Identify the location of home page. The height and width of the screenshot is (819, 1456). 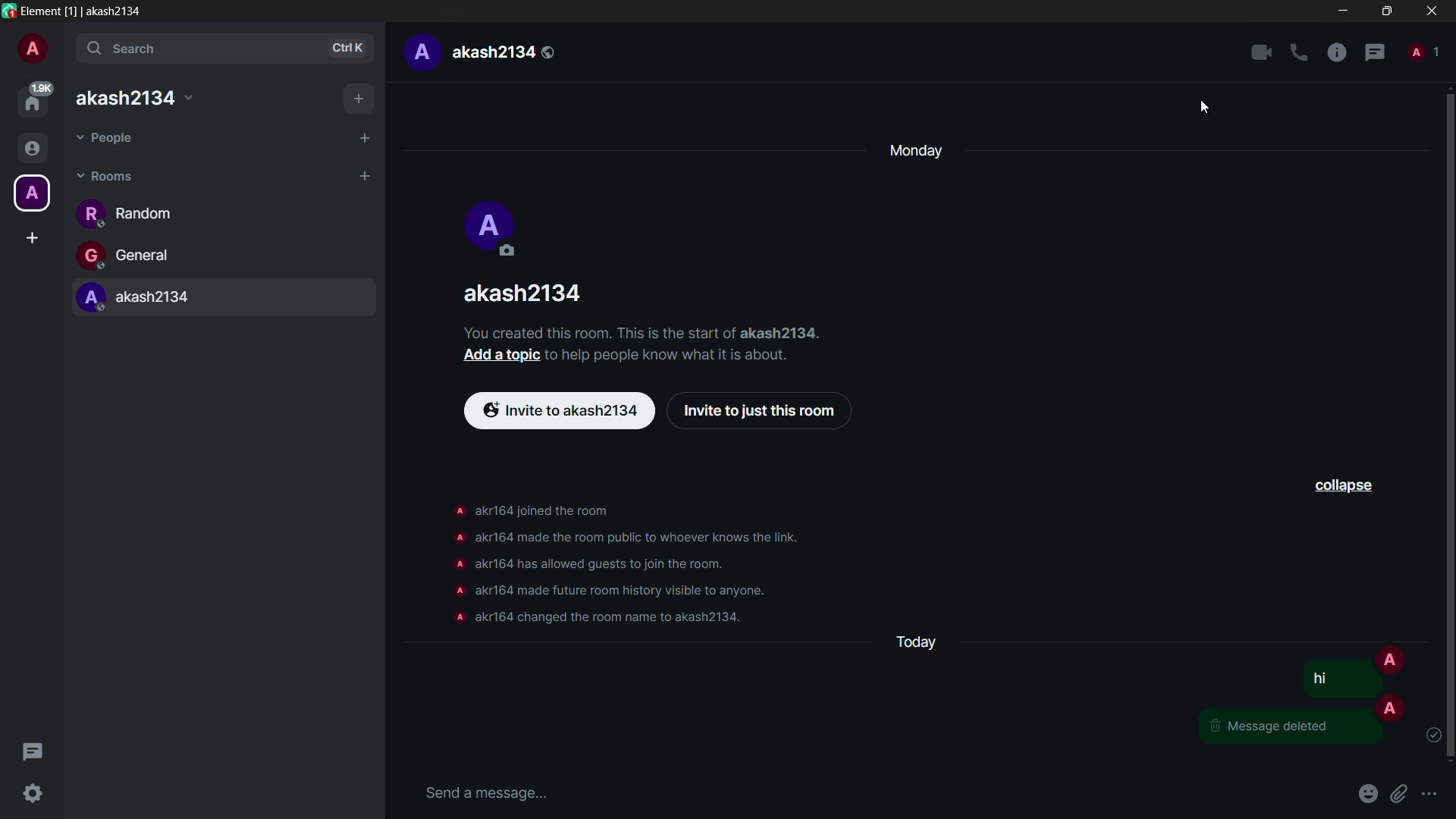
(35, 99).